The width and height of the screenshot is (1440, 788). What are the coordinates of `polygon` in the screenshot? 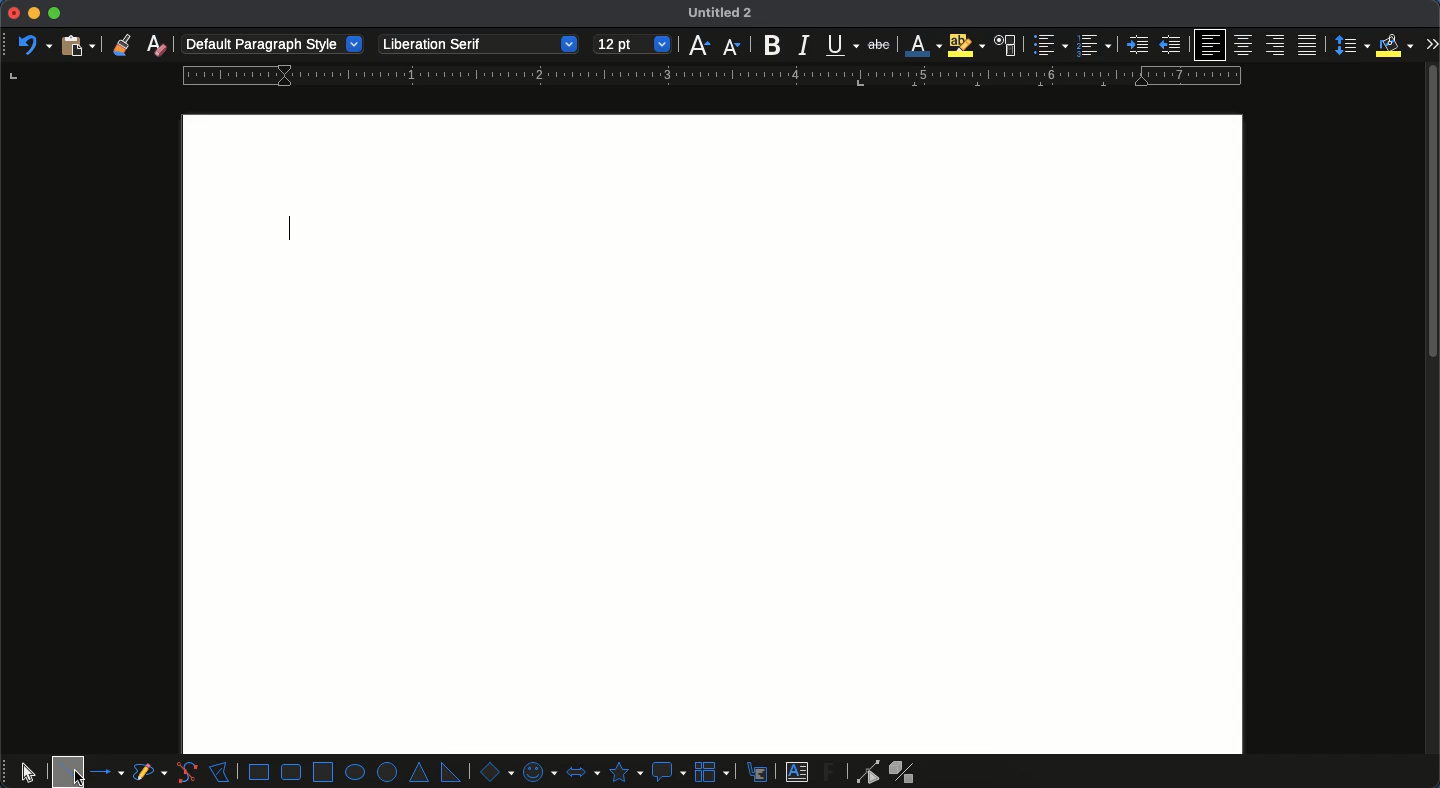 It's located at (220, 770).